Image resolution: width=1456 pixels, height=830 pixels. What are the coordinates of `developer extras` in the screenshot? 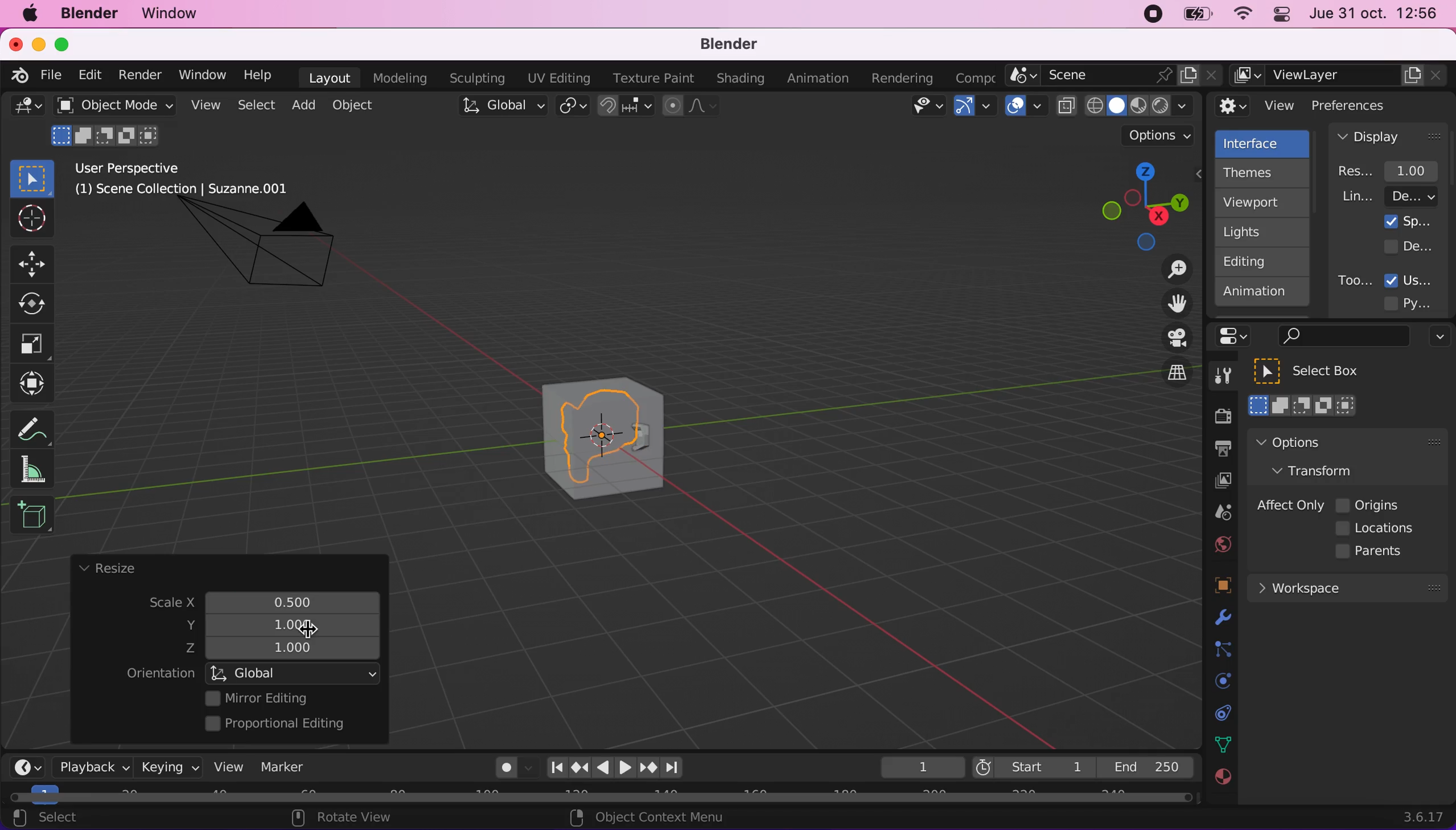 It's located at (1410, 246).